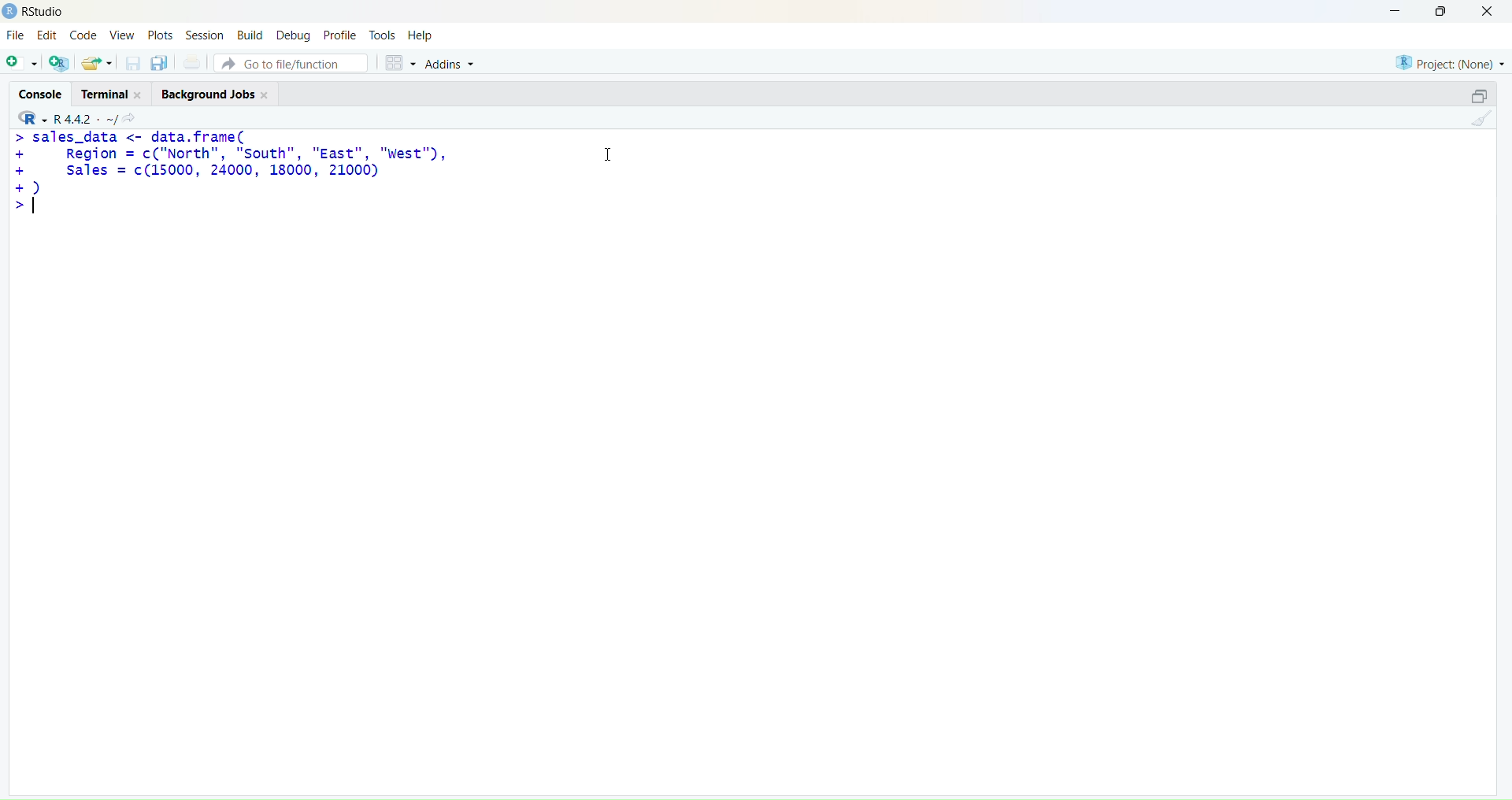 The width and height of the screenshot is (1512, 800). Describe the element at coordinates (290, 61) in the screenshot. I see `Go to file/function` at that location.